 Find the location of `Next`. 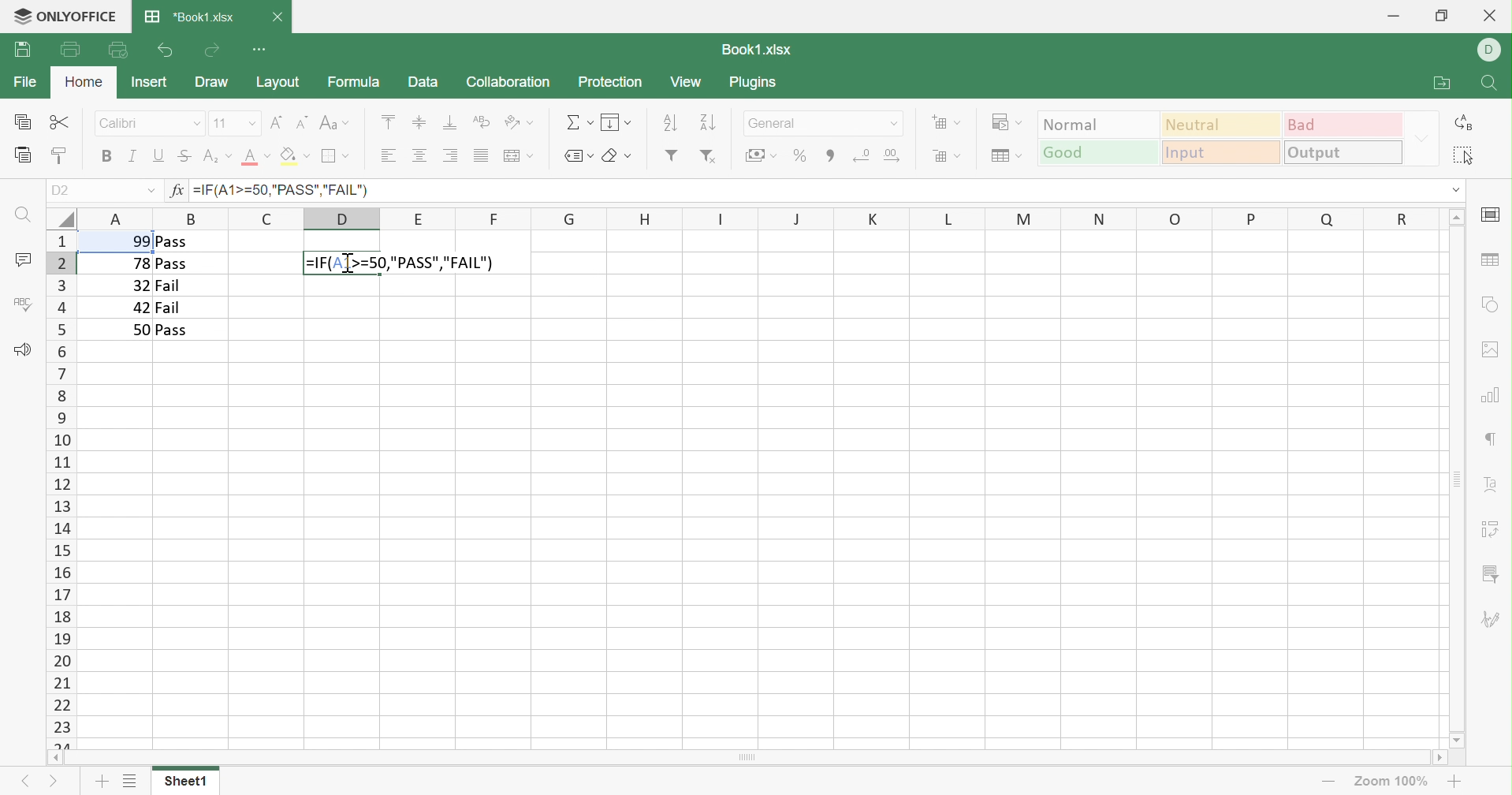

Next is located at coordinates (57, 785).